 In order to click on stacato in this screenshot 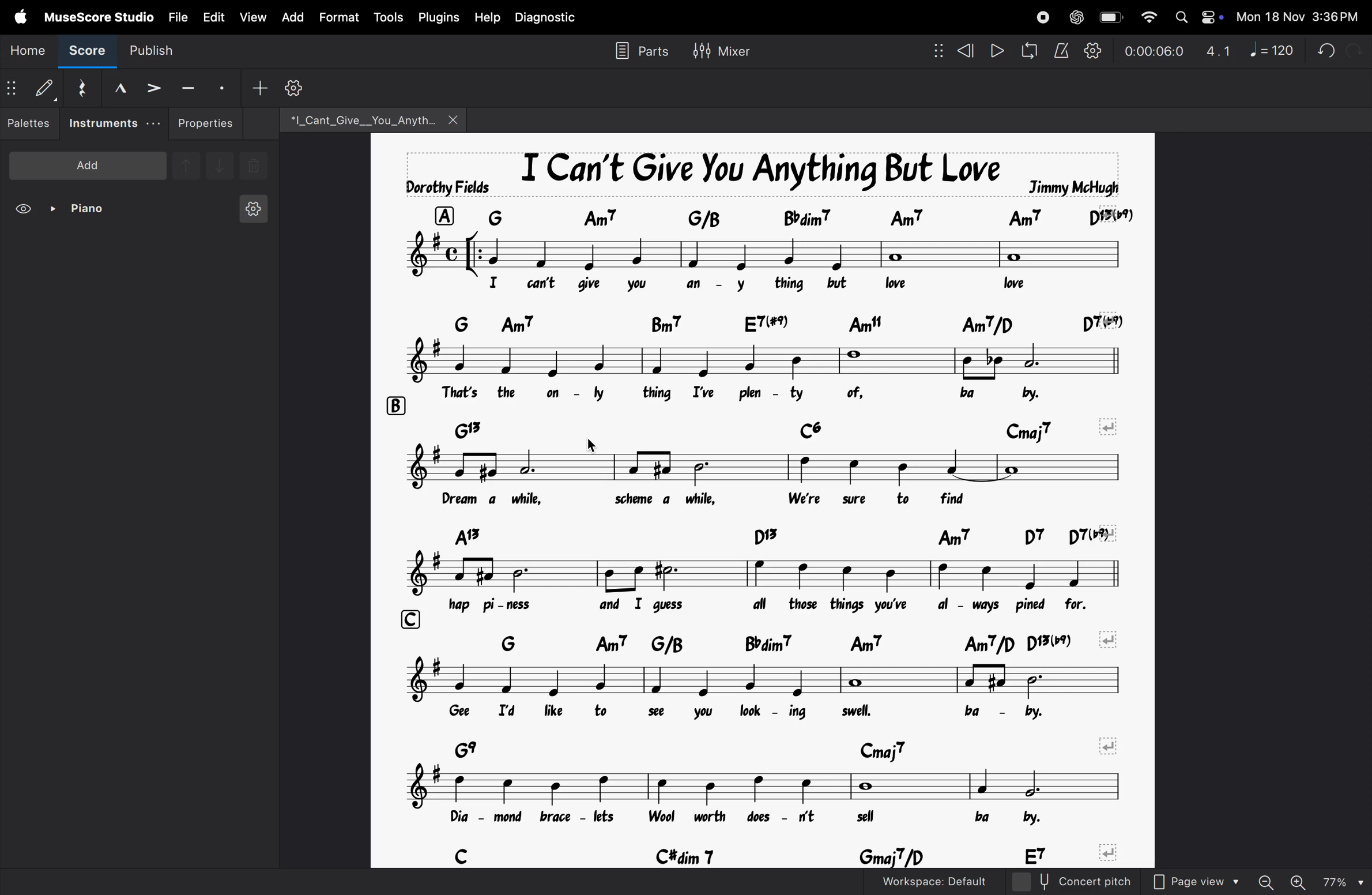, I will do `click(221, 88)`.